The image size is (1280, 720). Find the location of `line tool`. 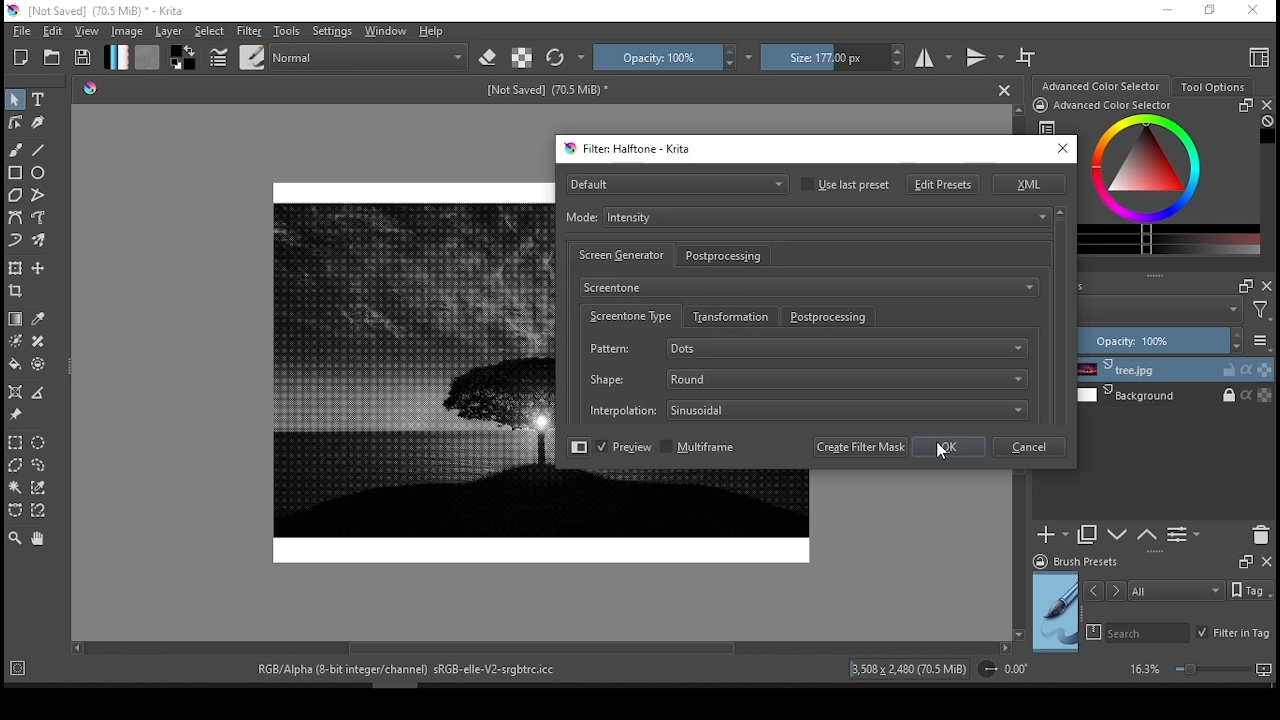

line tool is located at coordinates (39, 149).